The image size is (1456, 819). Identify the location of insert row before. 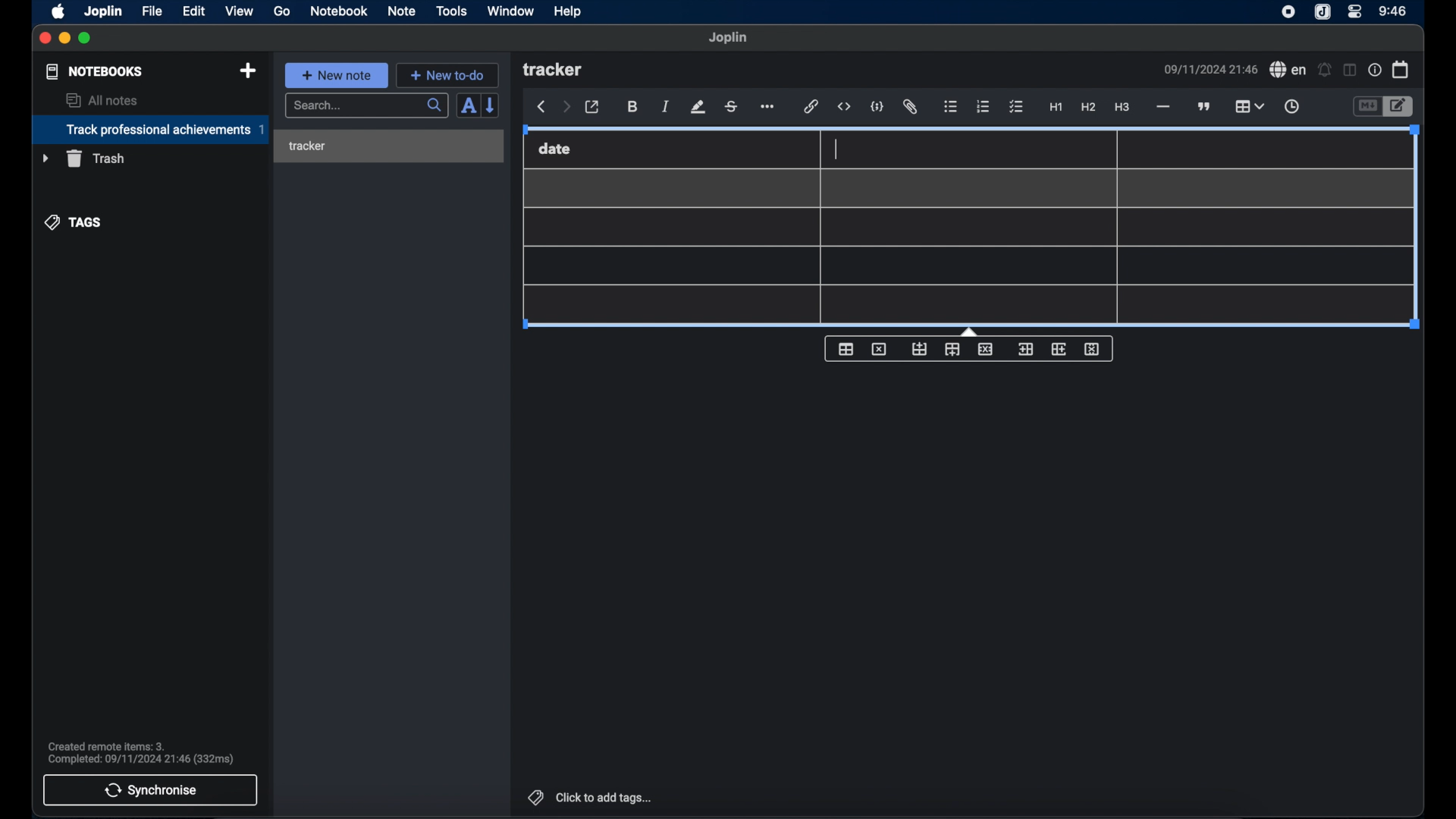
(919, 349).